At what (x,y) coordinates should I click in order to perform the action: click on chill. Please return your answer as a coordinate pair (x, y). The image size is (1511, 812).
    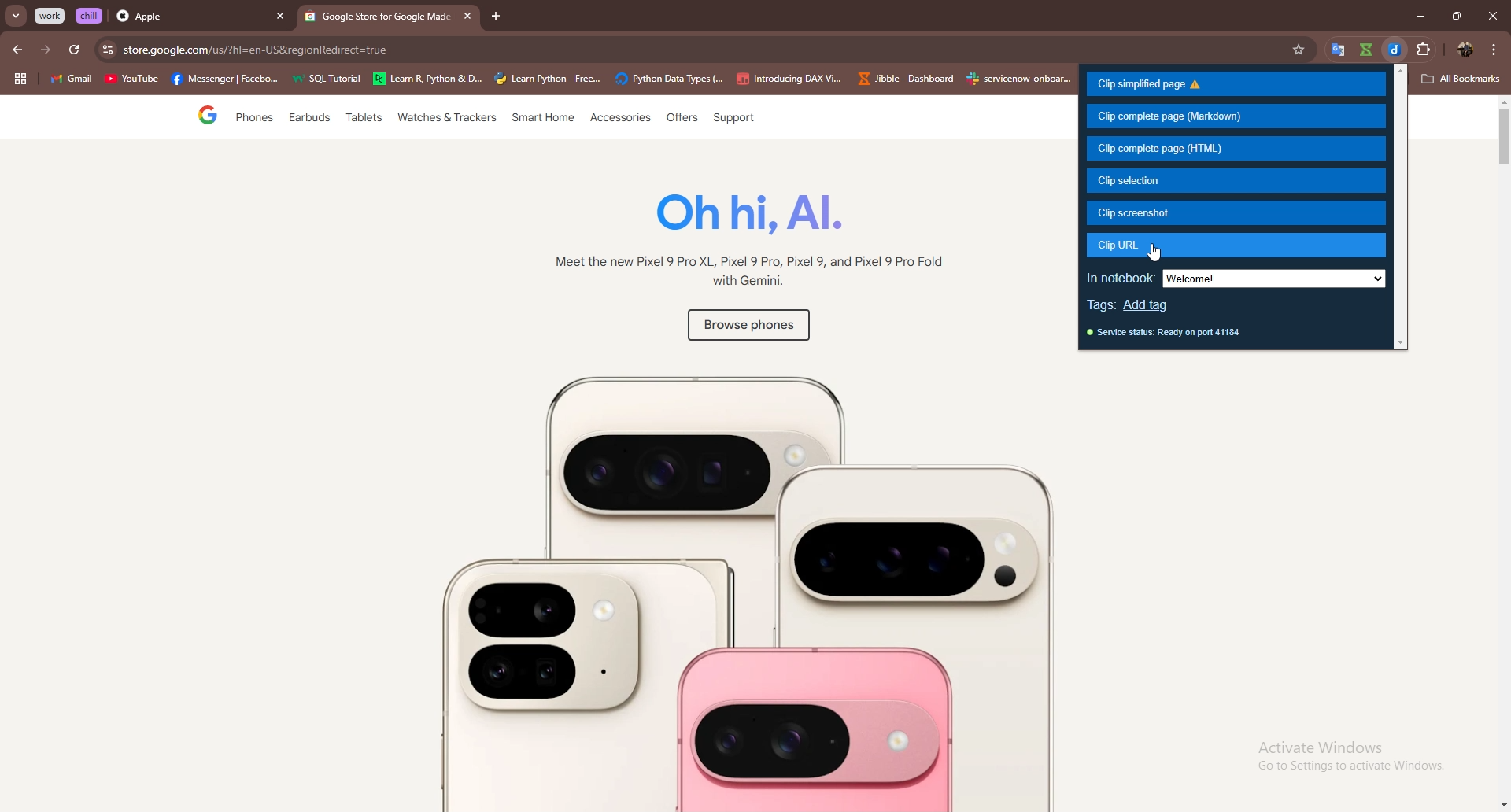
    Looking at the image, I should click on (91, 15).